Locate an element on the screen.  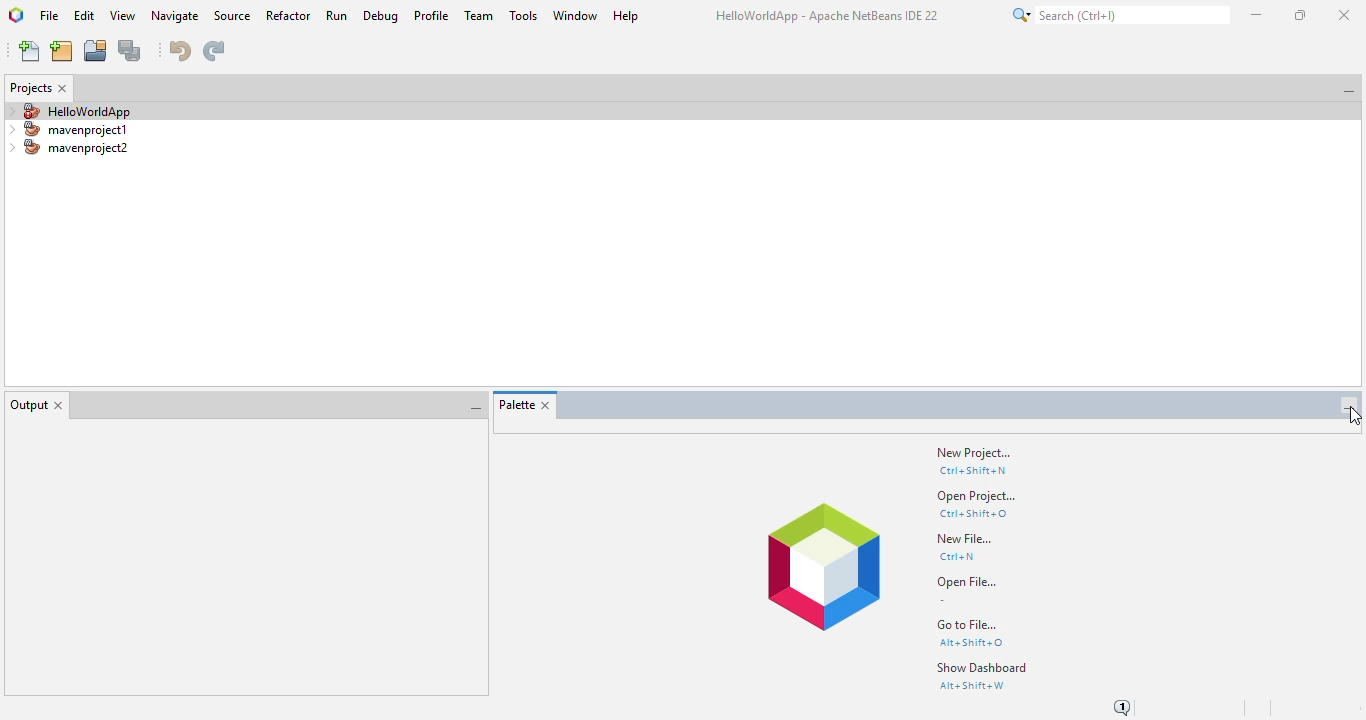
window is located at coordinates (575, 16).